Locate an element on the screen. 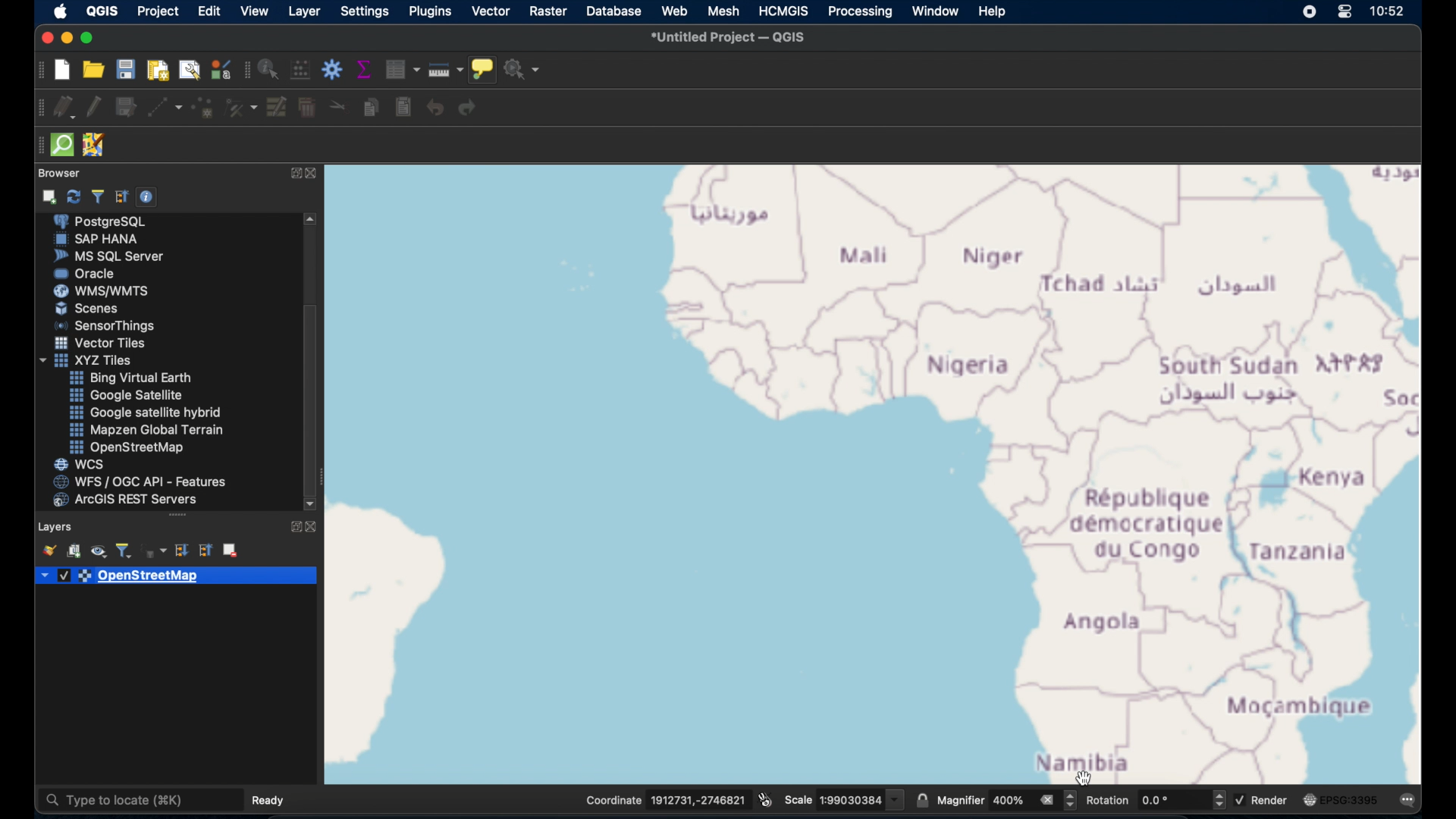  close is located at coordinates (315, 528).